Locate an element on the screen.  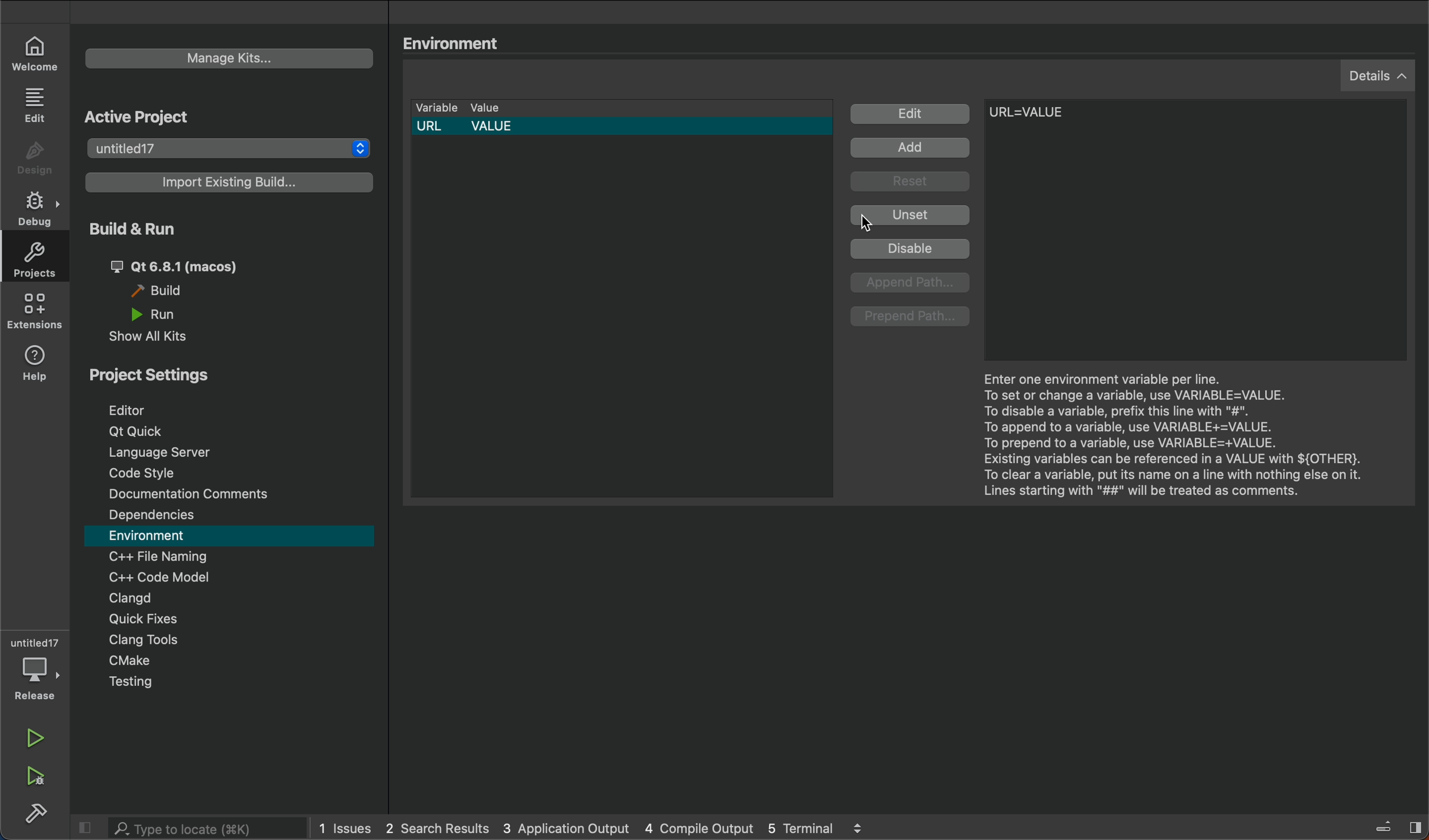
design is located at coordinates (35, 158).